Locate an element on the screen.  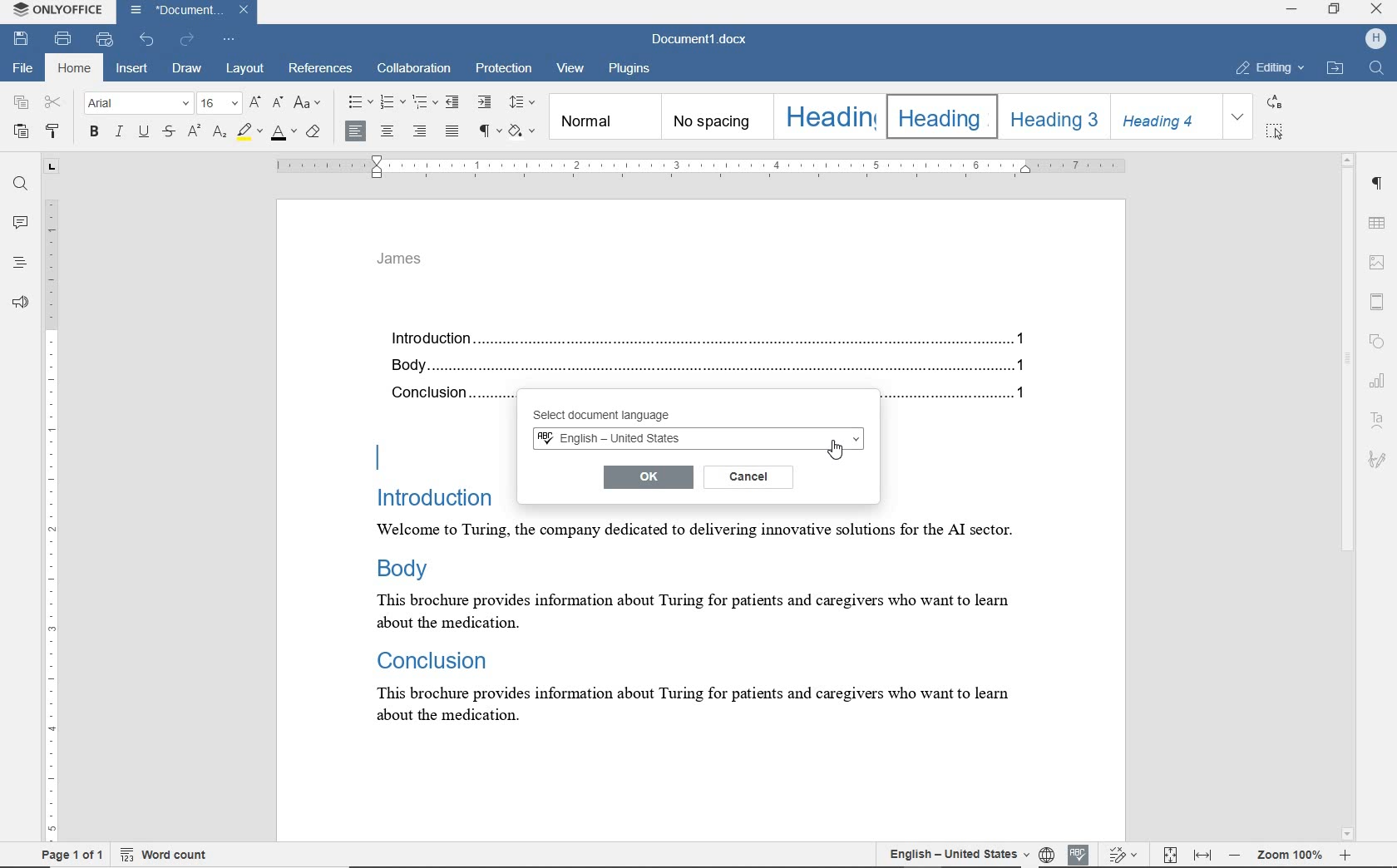
spell check is located at coordinates (1075, 852).